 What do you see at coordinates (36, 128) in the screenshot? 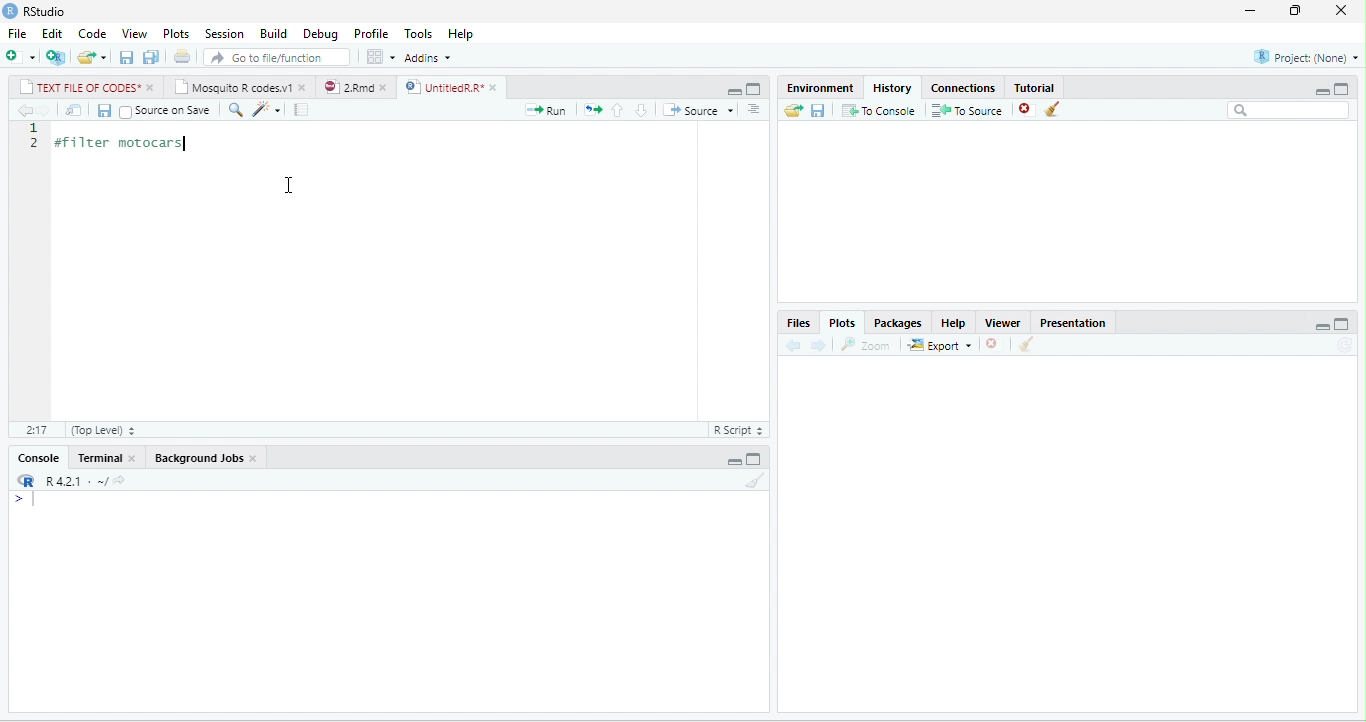
I see `1` at bounding box center [36, 128].